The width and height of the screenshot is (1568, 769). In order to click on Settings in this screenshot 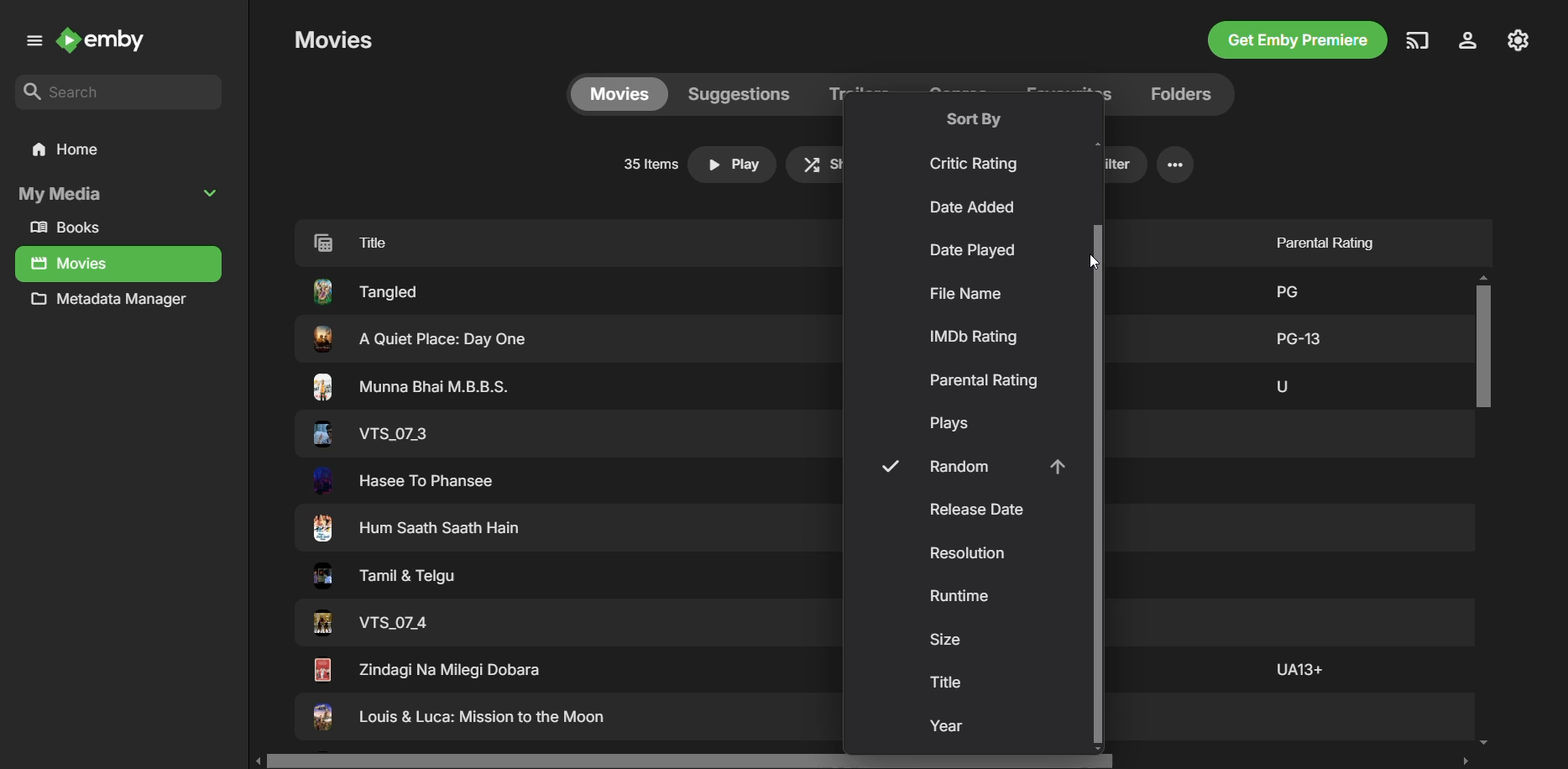, I will do `click(1465, 42)`.